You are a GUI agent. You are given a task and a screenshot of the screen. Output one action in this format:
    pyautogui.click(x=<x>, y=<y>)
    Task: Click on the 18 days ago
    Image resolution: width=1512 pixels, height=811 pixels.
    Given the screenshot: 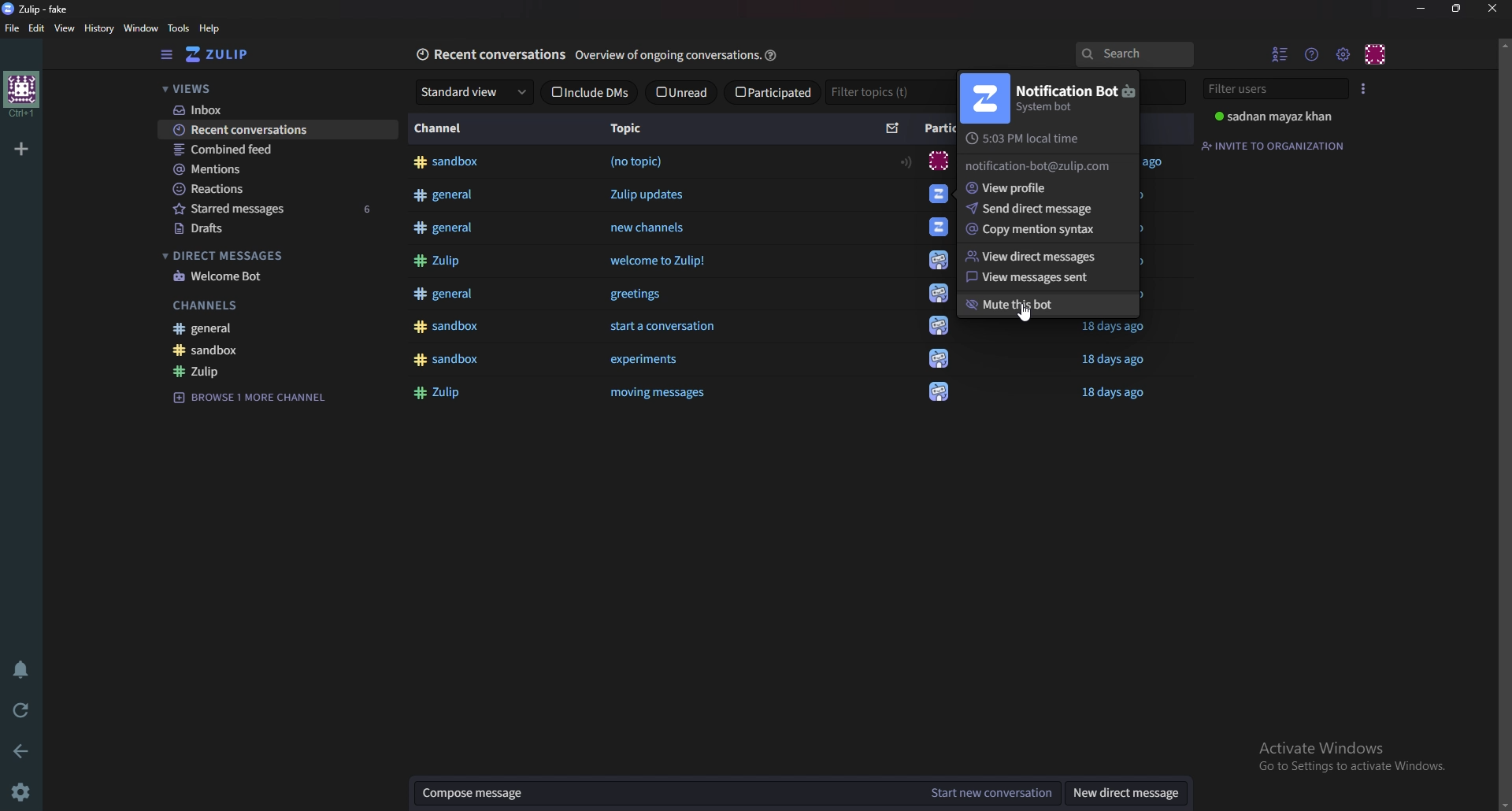 What is the action you would take?
    pyautogui.click(x=1117, y=395)
    